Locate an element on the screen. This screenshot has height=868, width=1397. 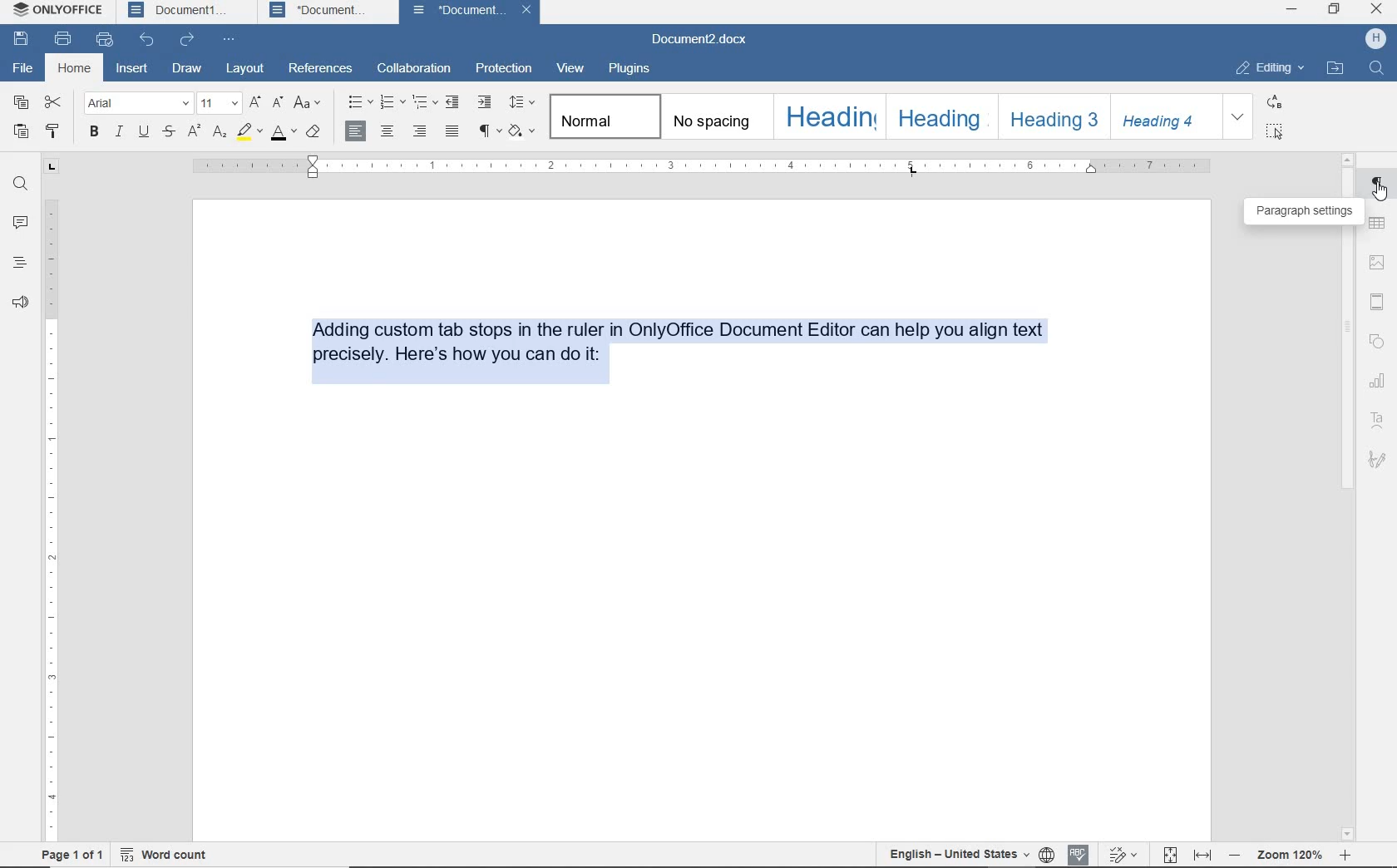
set document language is located at coordinates (1045, 854).